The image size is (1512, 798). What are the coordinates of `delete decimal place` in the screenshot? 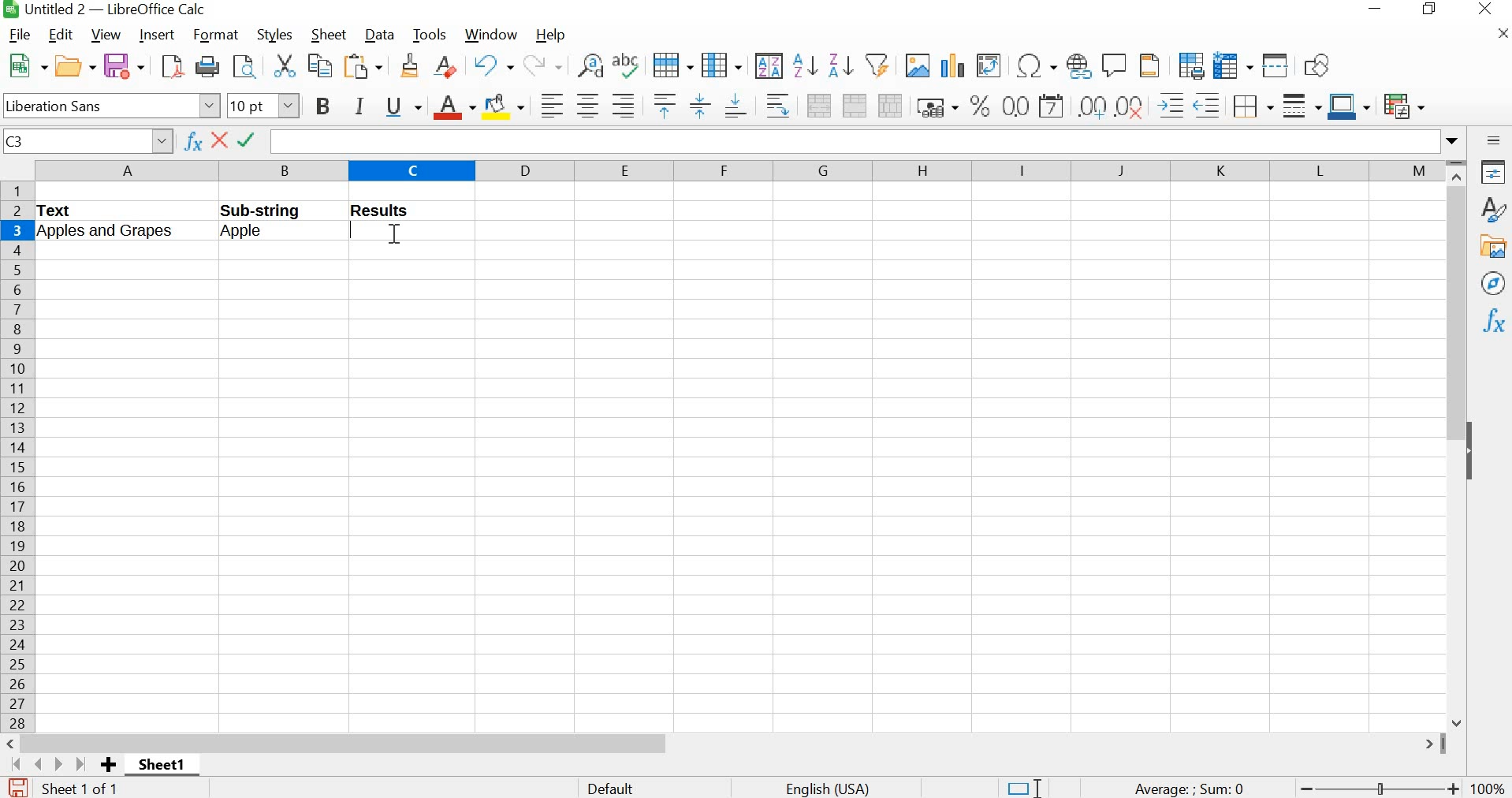 It's located at (1130, 106).